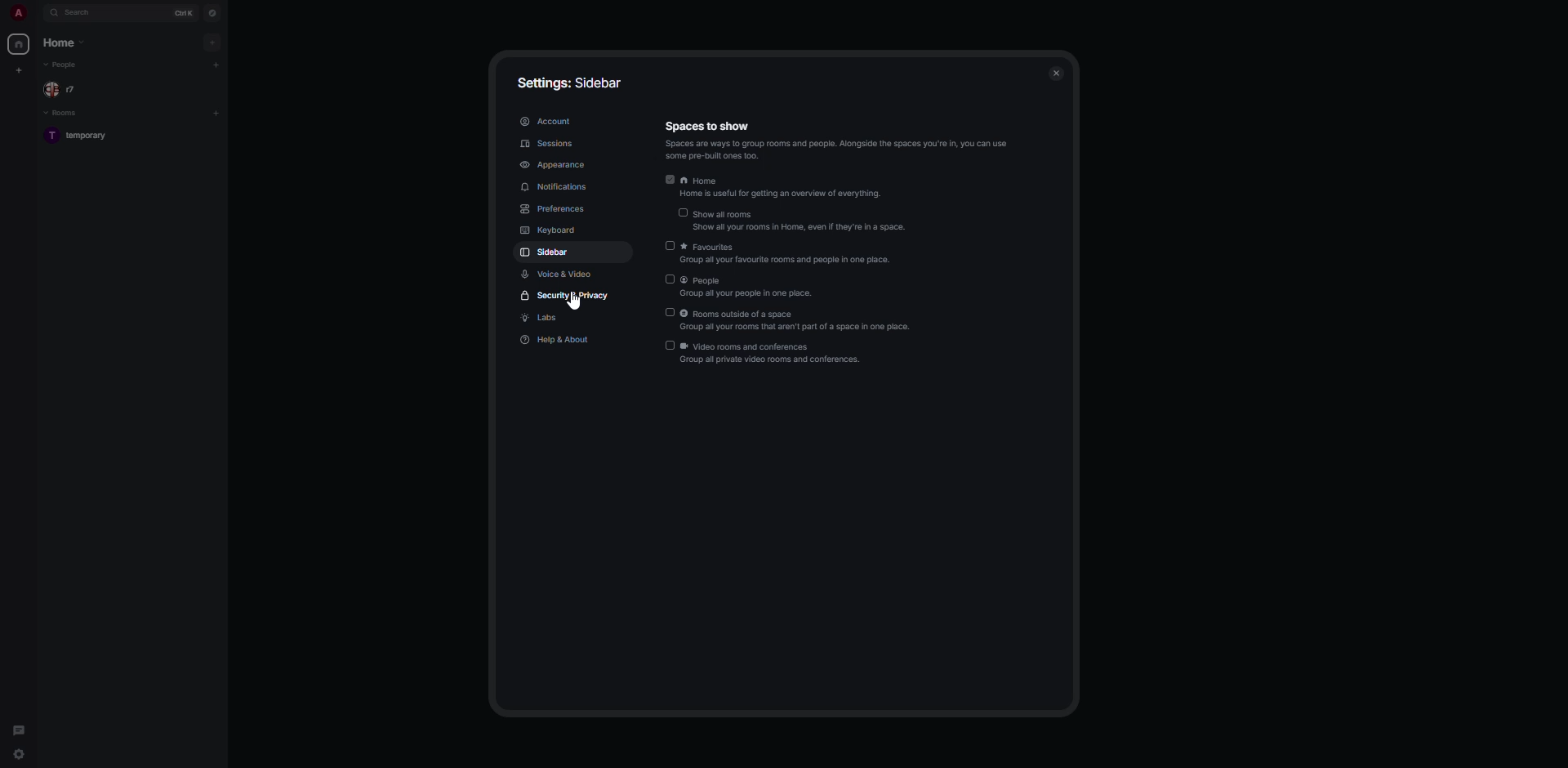  What do you see at coordinates (550, 145) in the screenshot?
I see `sessions` at bounding box center [550, 145].